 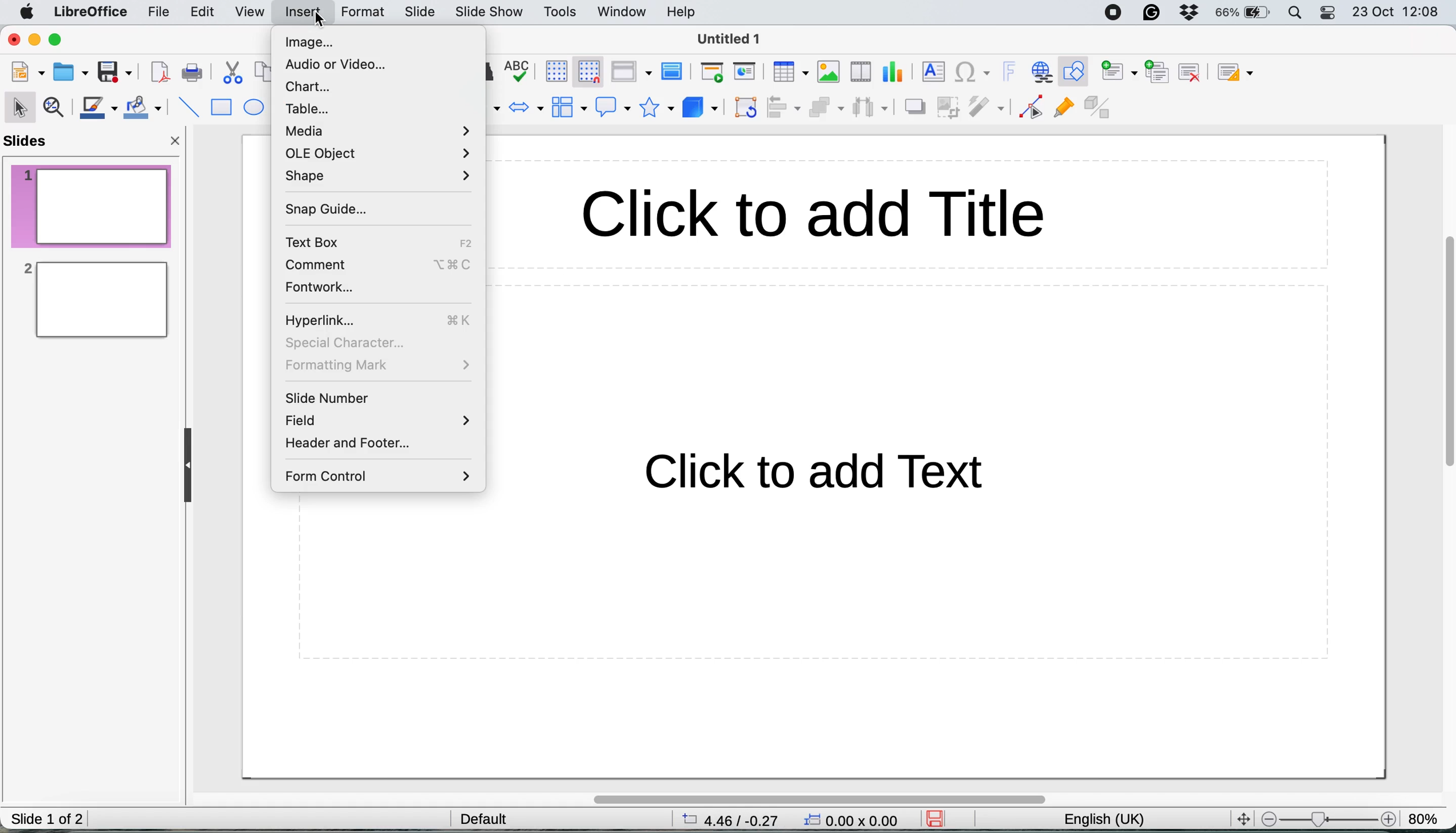 What do you see at coordinates (21, 106) in the screenshot?
I see `selection tool` at bounding box center [21, 106].